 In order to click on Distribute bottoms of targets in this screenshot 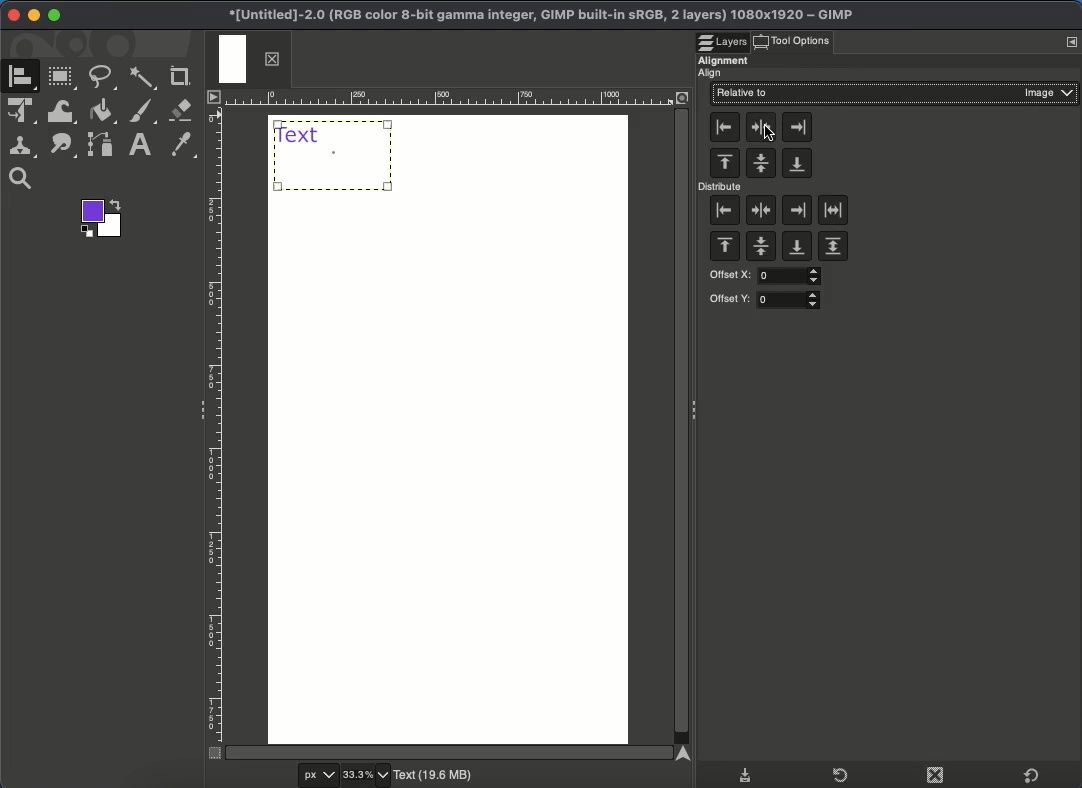, I will do `click(795, 248)`.